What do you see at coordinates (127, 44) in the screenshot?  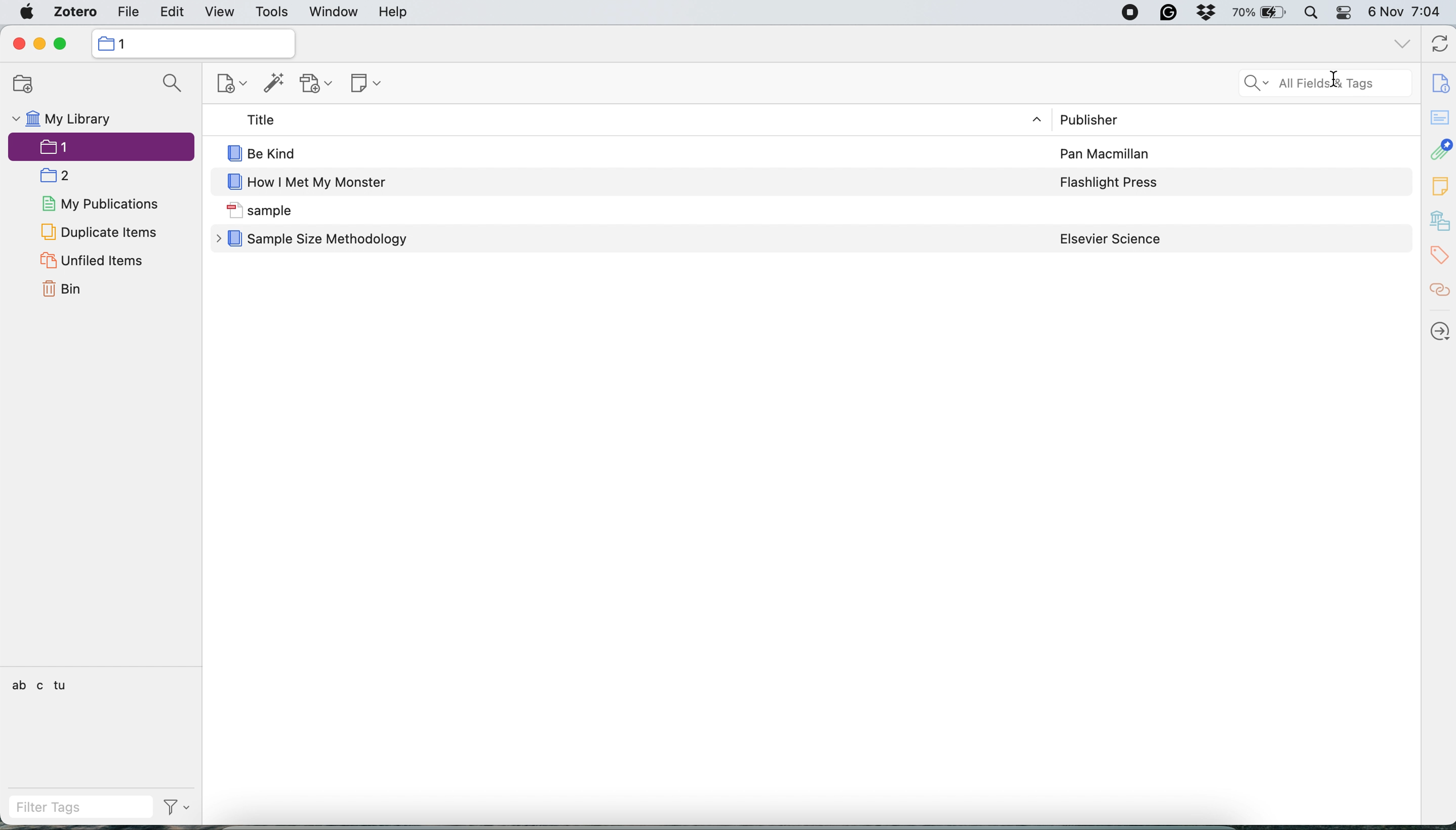 I see `1` at bounding box center [127, 44].